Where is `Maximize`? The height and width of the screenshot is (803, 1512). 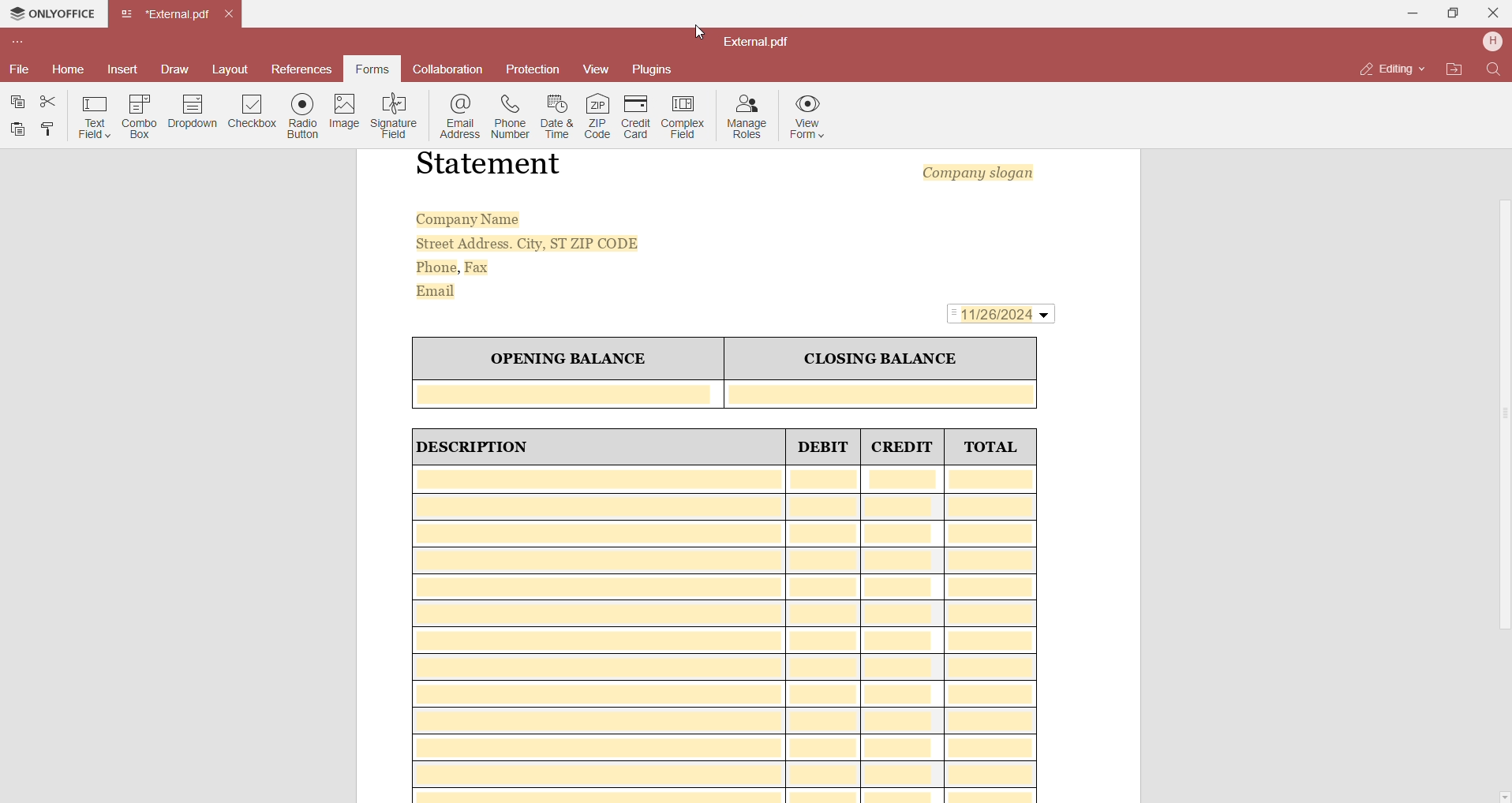
Maximize is located at coordinates (1449, 13).